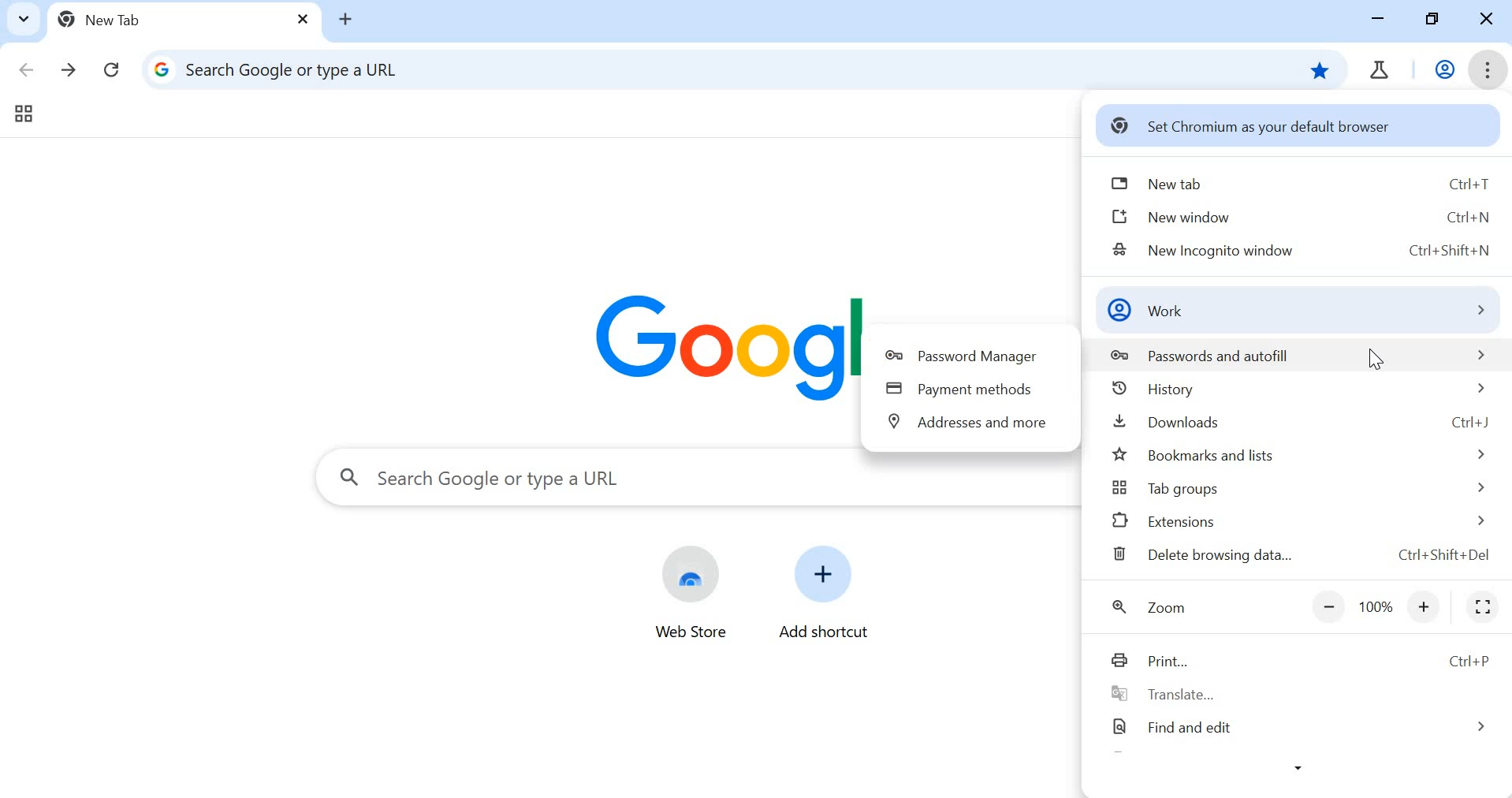  What do you see at coordinates (1303, 216) in the screenshot?
I see `new window` at bounding box center [1303, 216].